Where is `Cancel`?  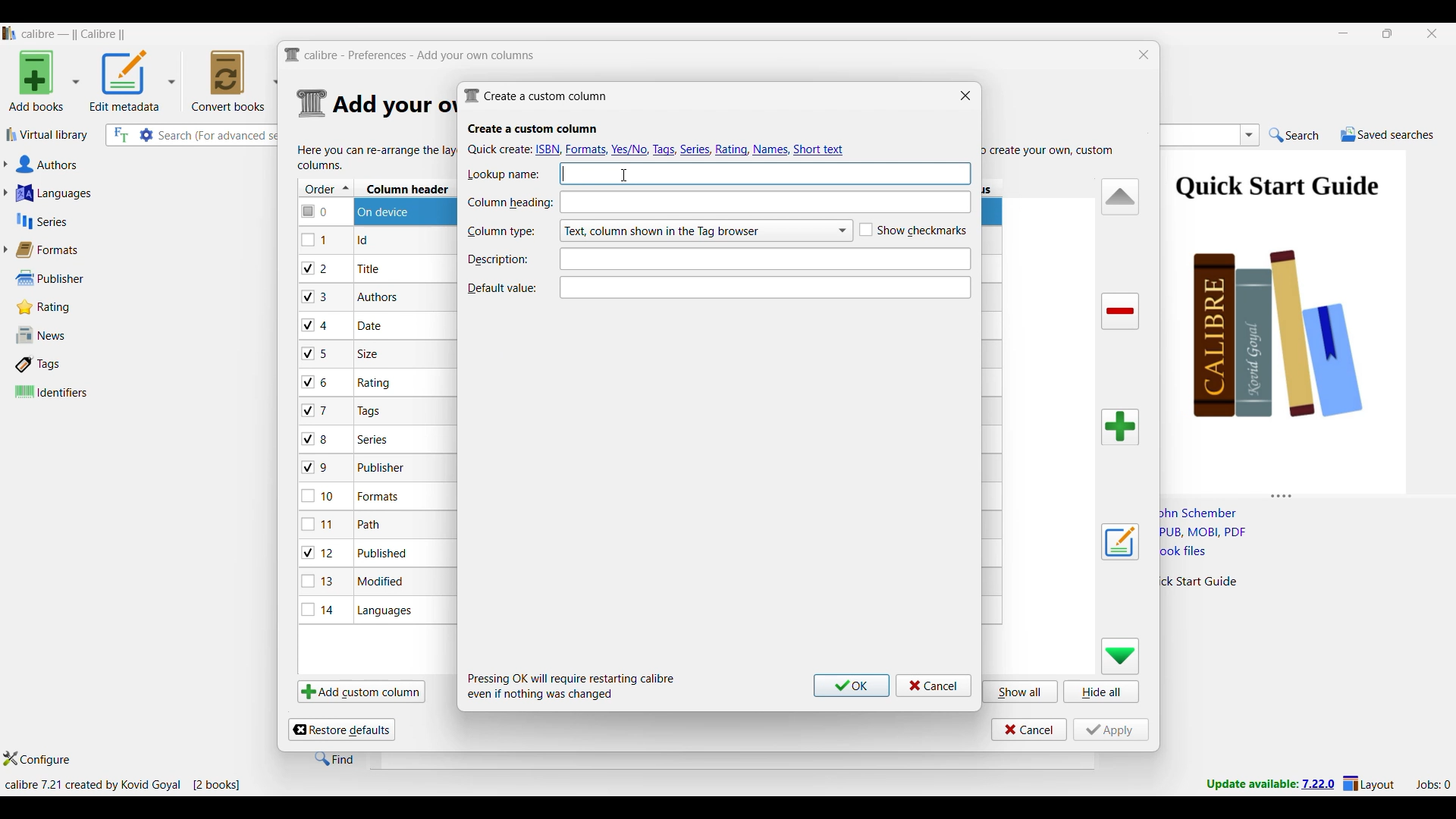 Cancel is located at coordinates (934, 686).